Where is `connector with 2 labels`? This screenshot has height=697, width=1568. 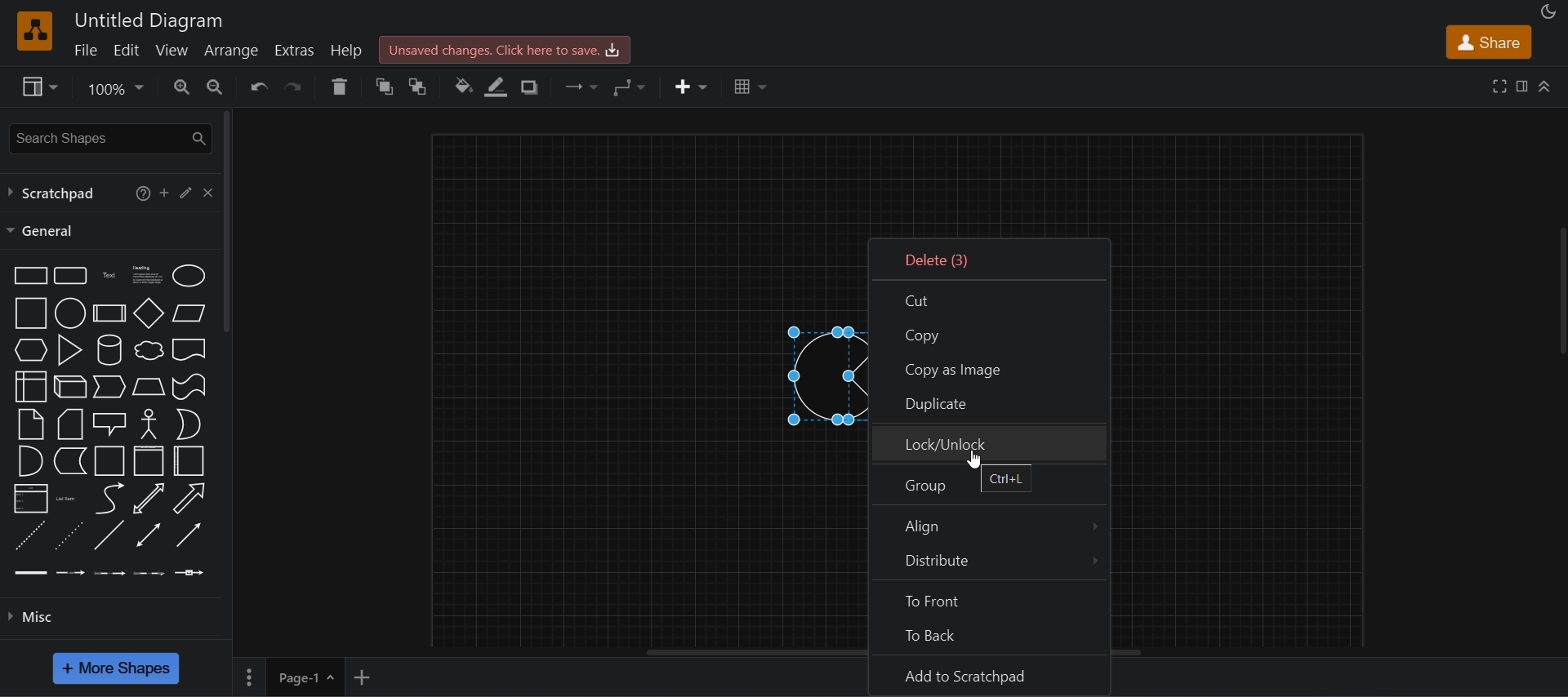 connector with 2 labels is located at coordinates (110, 571).